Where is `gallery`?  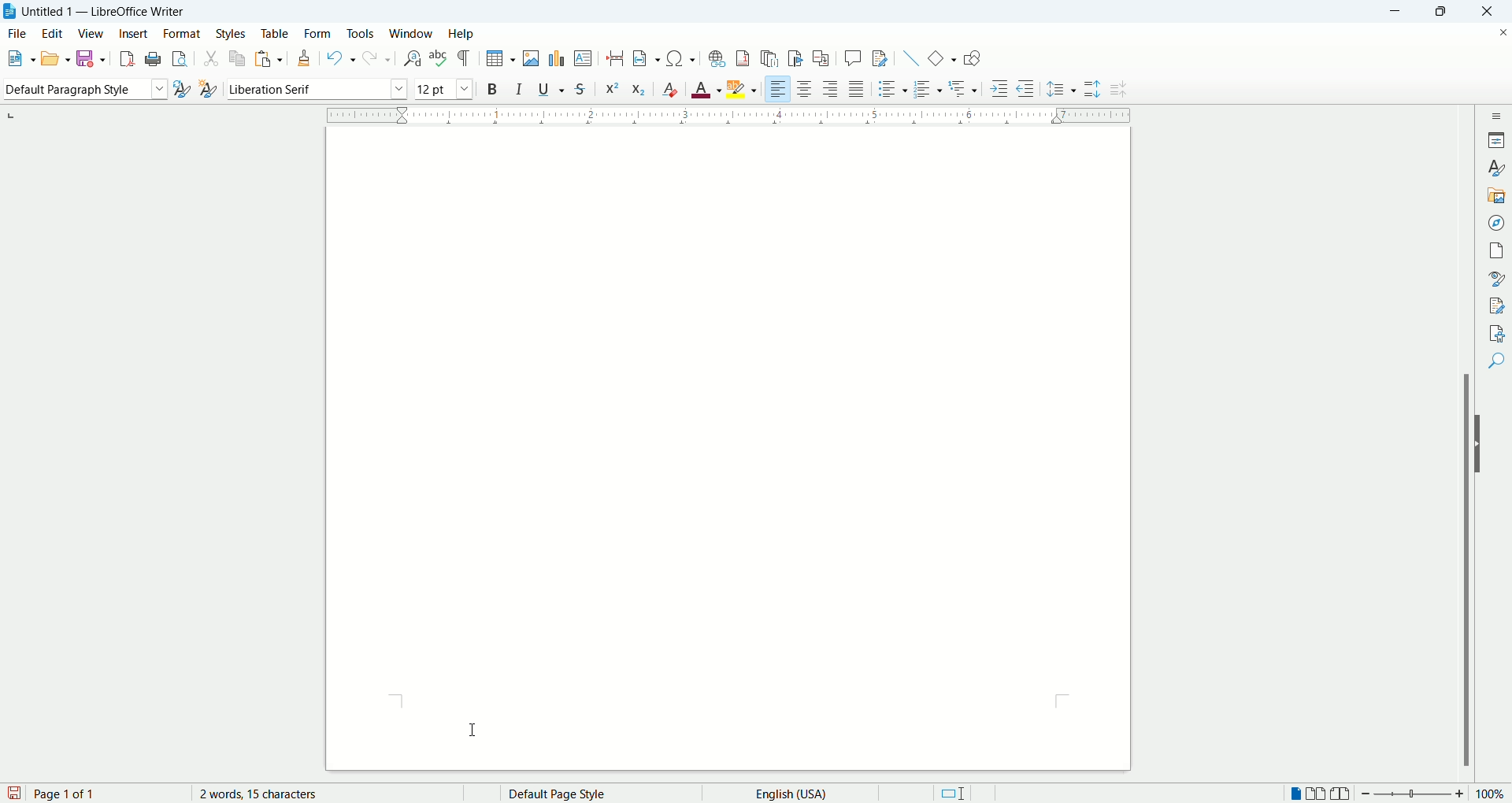
gallery is located at coordinates (1497, 194).